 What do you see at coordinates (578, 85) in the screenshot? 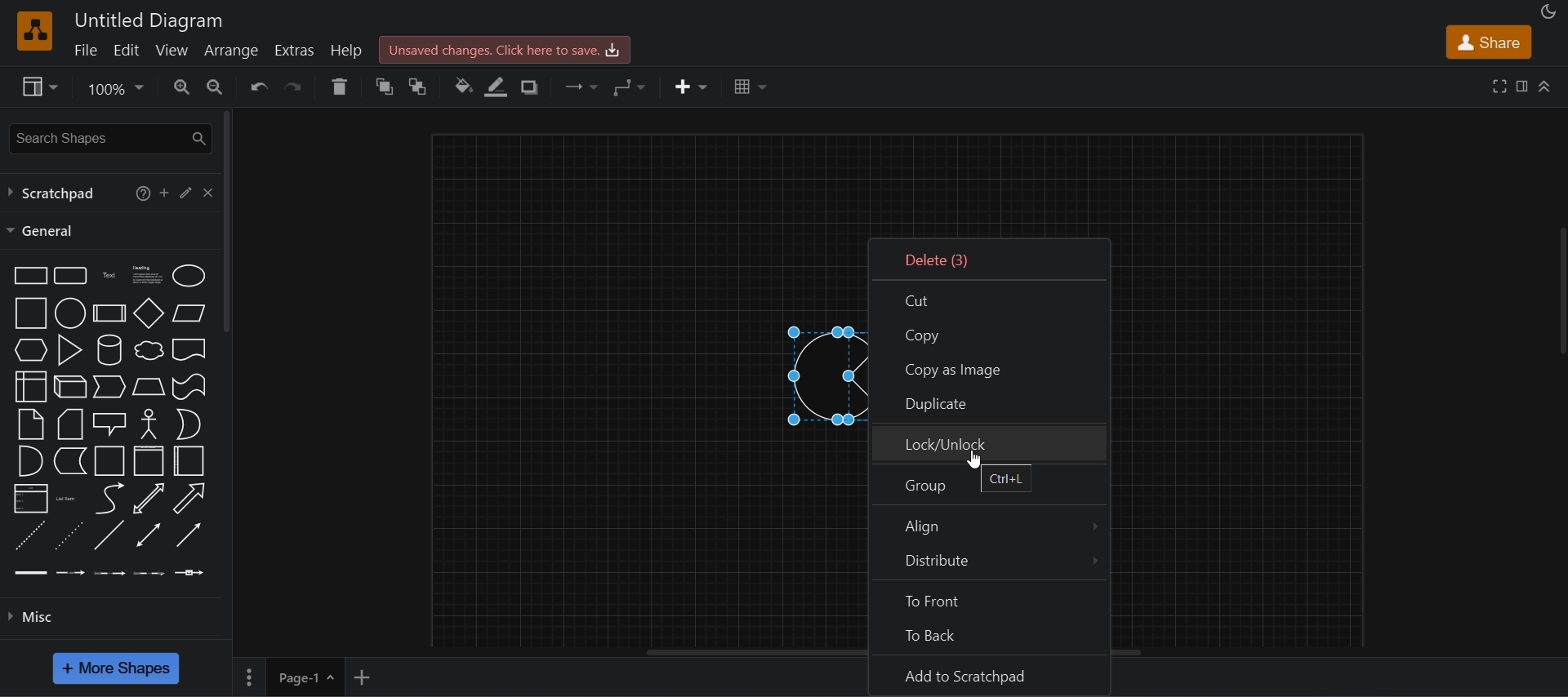
I see `conncetion` at bounding box center [578, 85].